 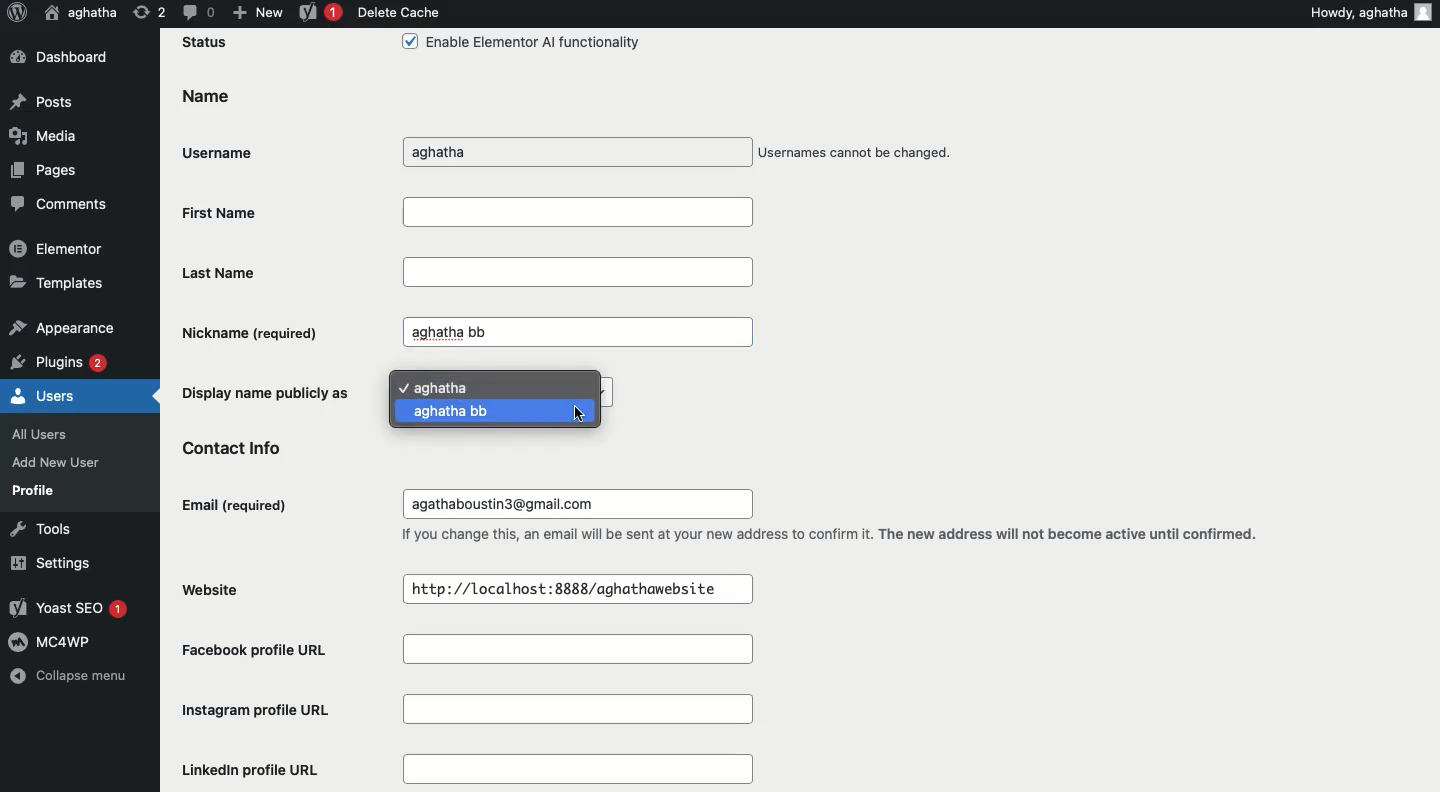 What do you see at coordinates (72, 609) in the screenshot?
I see `Yoast SEO 1` at bounding box center [72, 609].